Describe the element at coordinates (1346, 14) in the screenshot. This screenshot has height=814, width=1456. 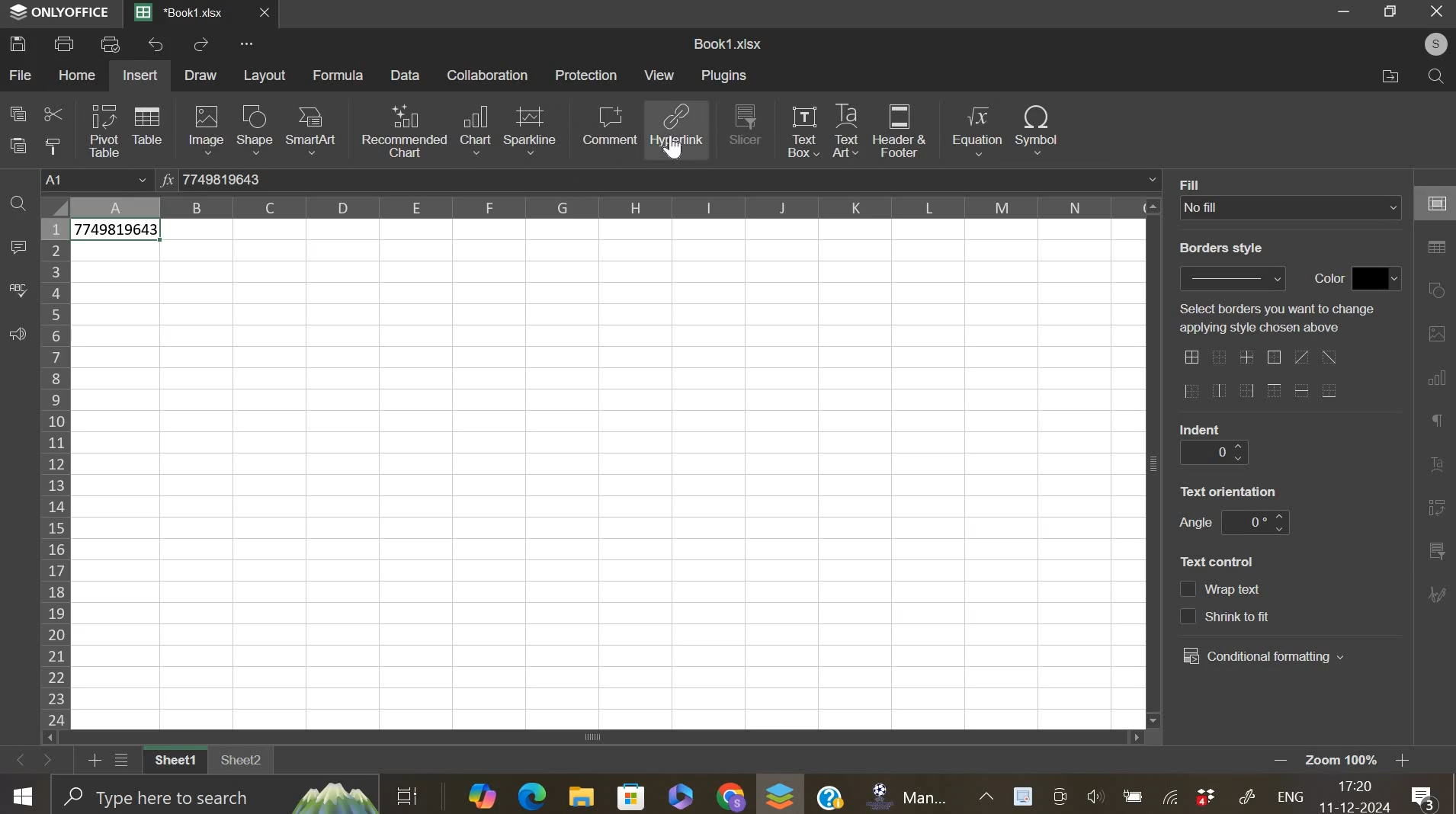
I see `Minimize` at that location.